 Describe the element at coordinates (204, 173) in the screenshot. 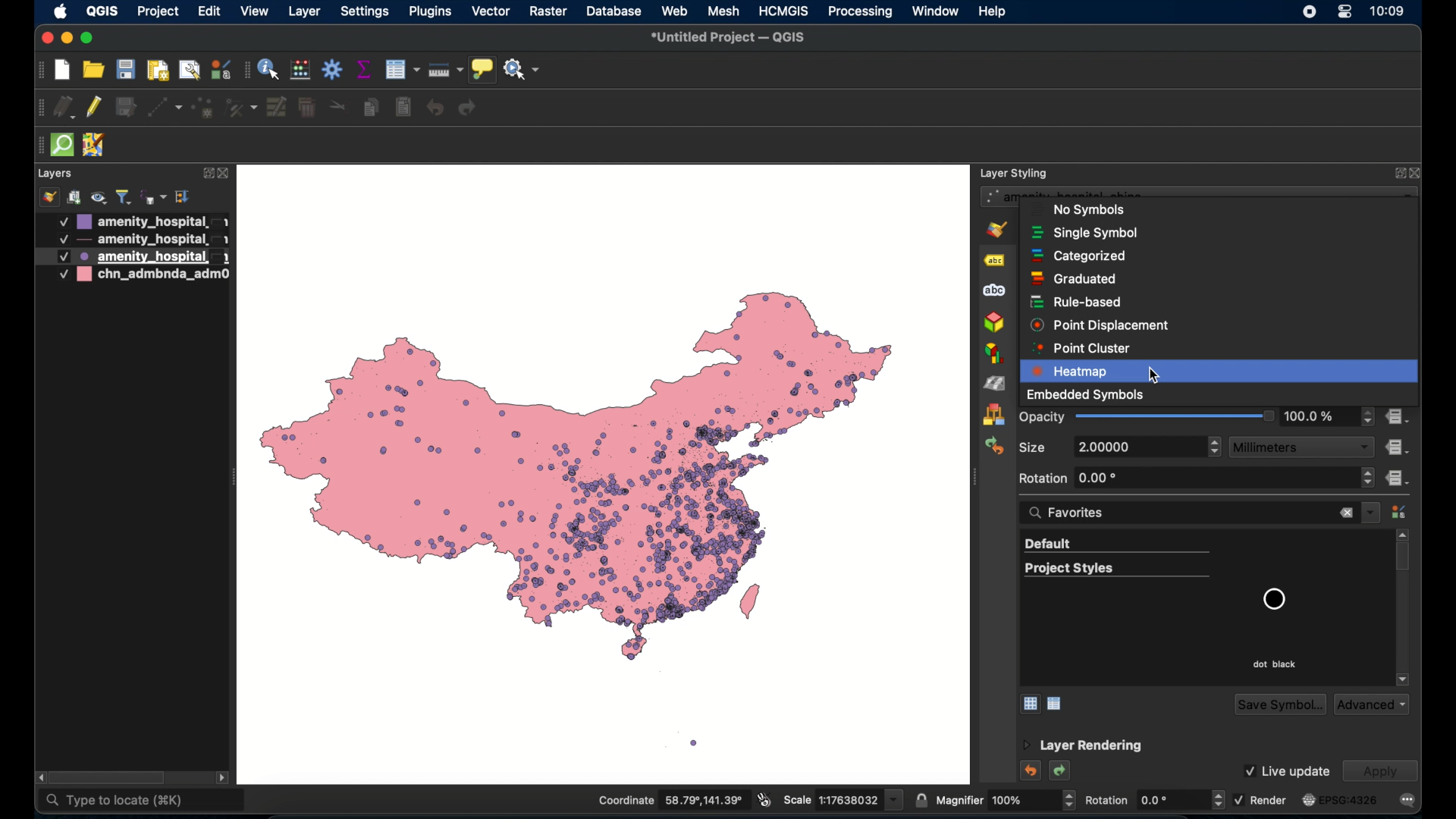

I see `expand` at that location.